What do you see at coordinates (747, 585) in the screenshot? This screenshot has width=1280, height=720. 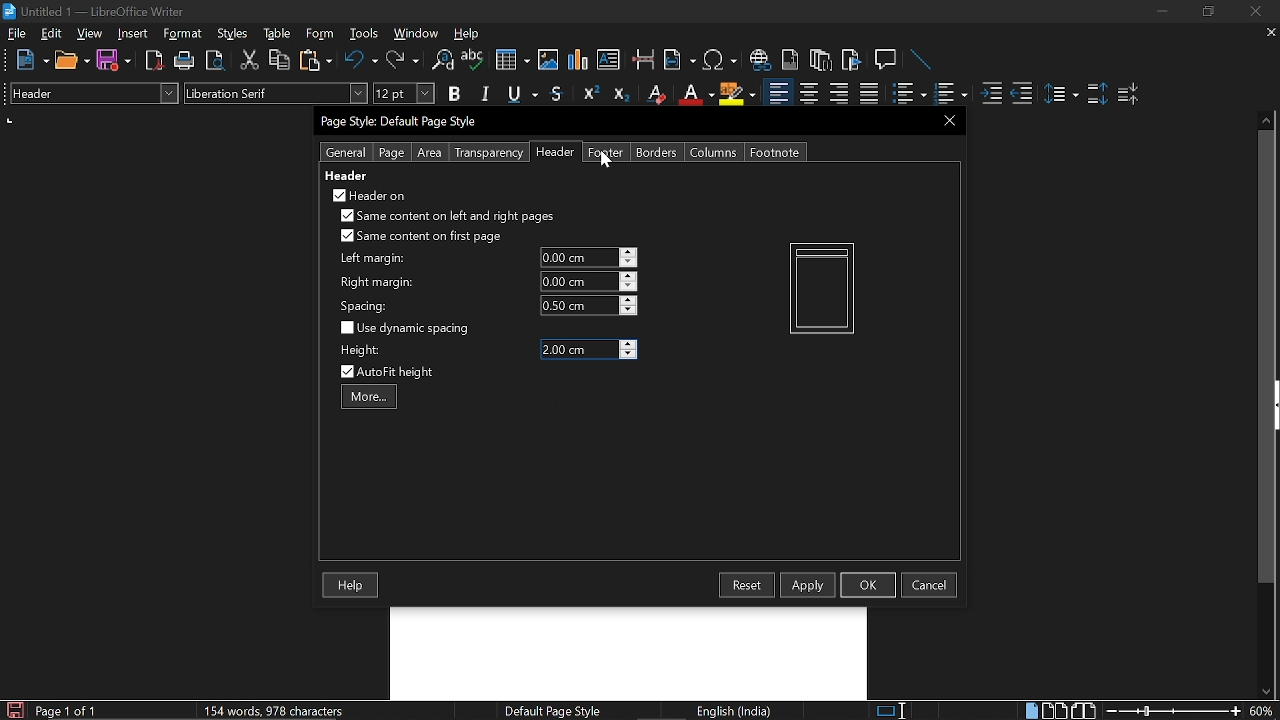 I see `Resest` at bounding box center [747, 585].